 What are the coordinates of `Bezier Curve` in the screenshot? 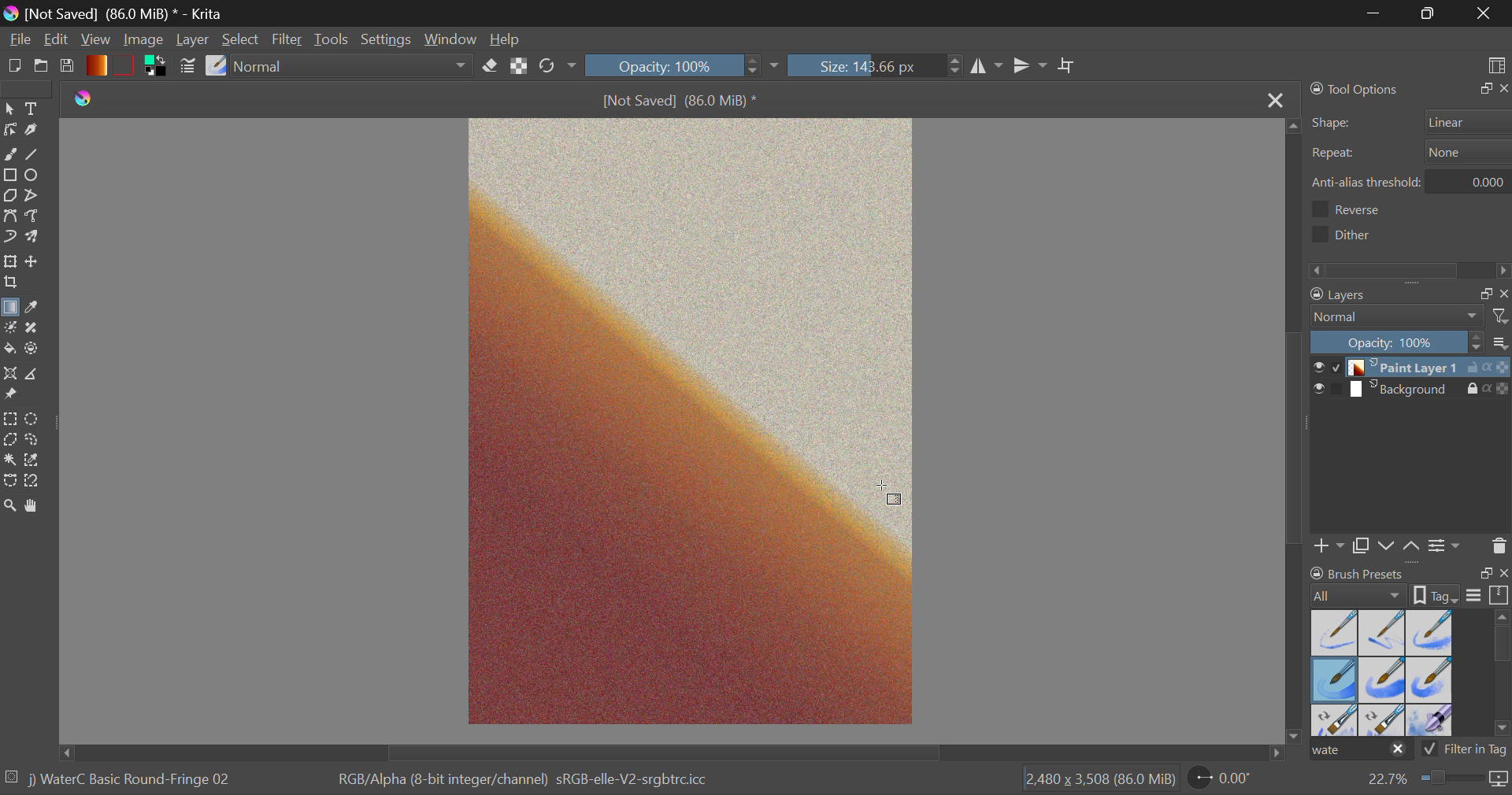 It's located at (9, 216).